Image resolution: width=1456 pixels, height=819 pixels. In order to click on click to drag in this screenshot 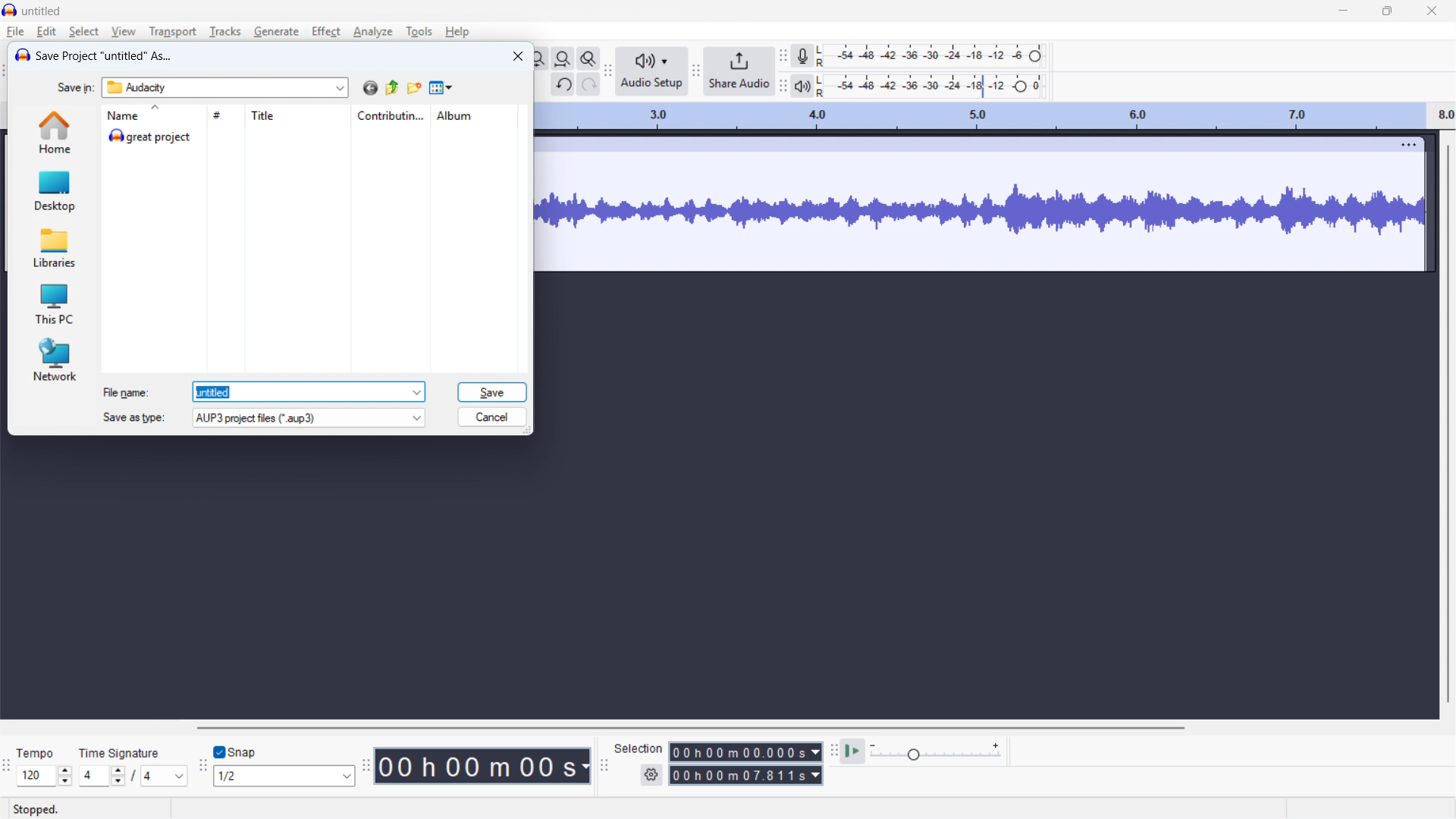, I will do `click(955, 145)`.